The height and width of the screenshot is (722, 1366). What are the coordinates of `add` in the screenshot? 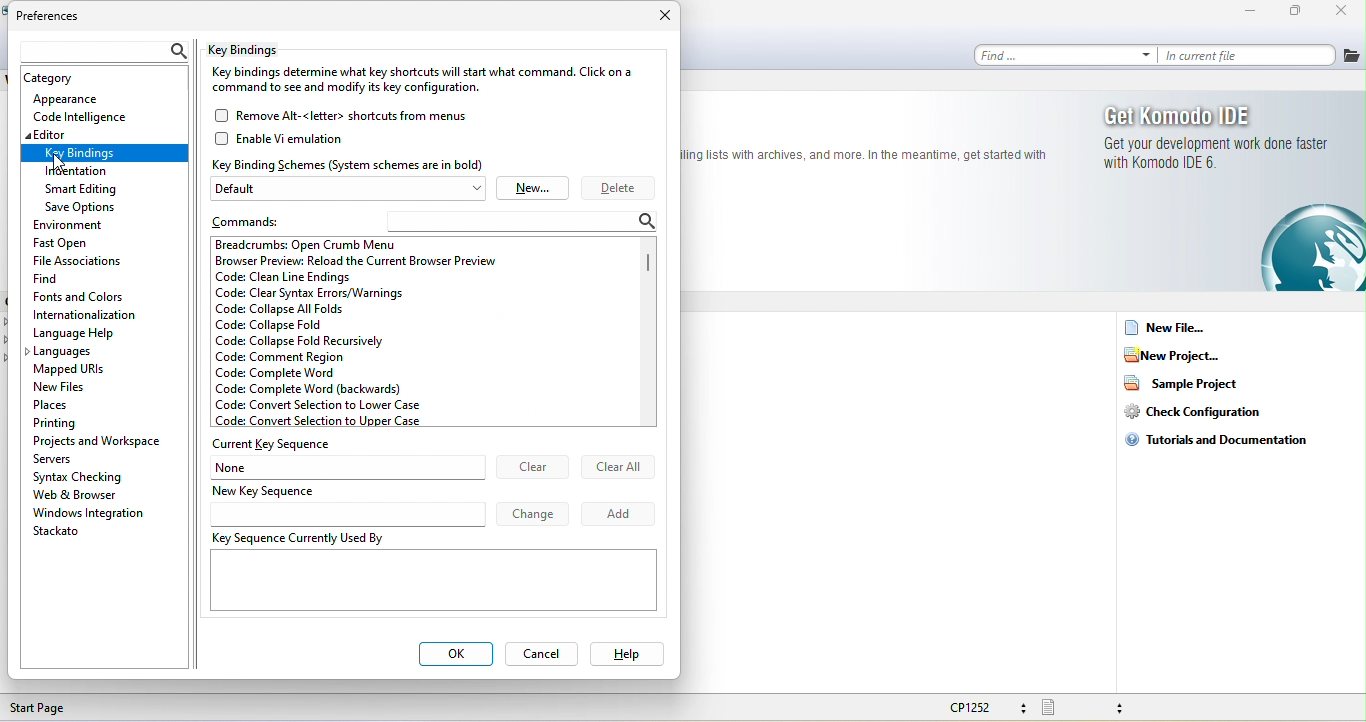 It's located at (619, 512).